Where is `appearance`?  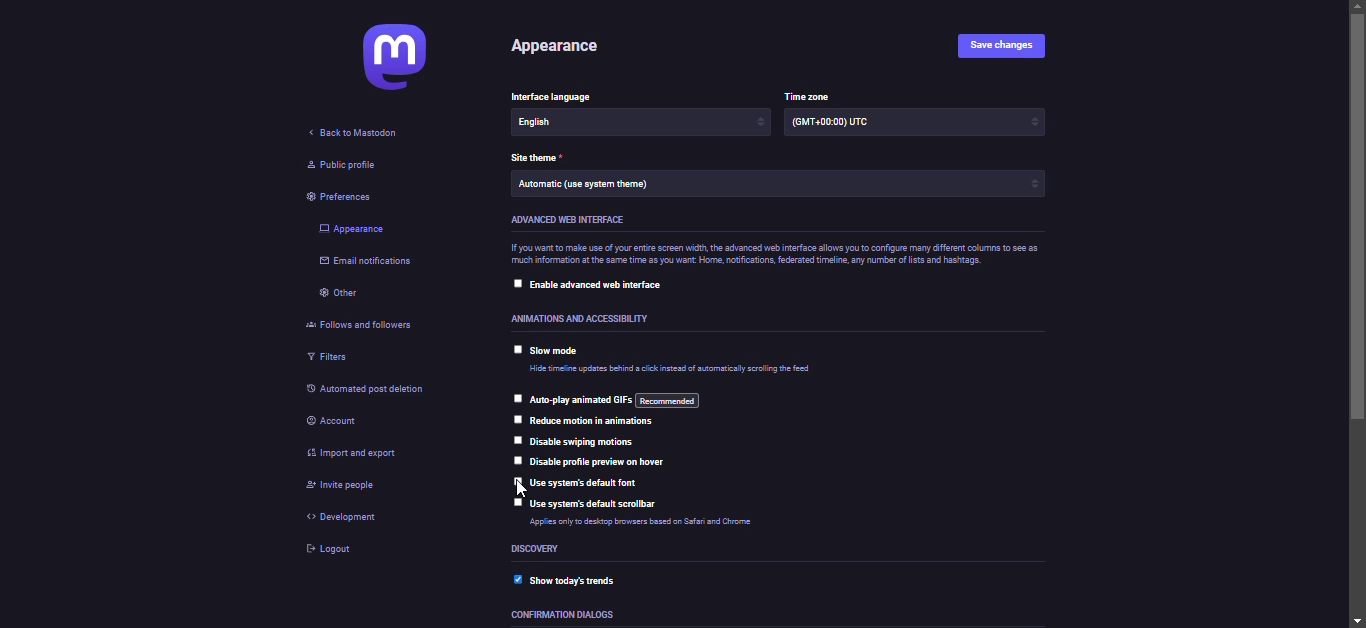
appearance is located at coordinates (562, 49).